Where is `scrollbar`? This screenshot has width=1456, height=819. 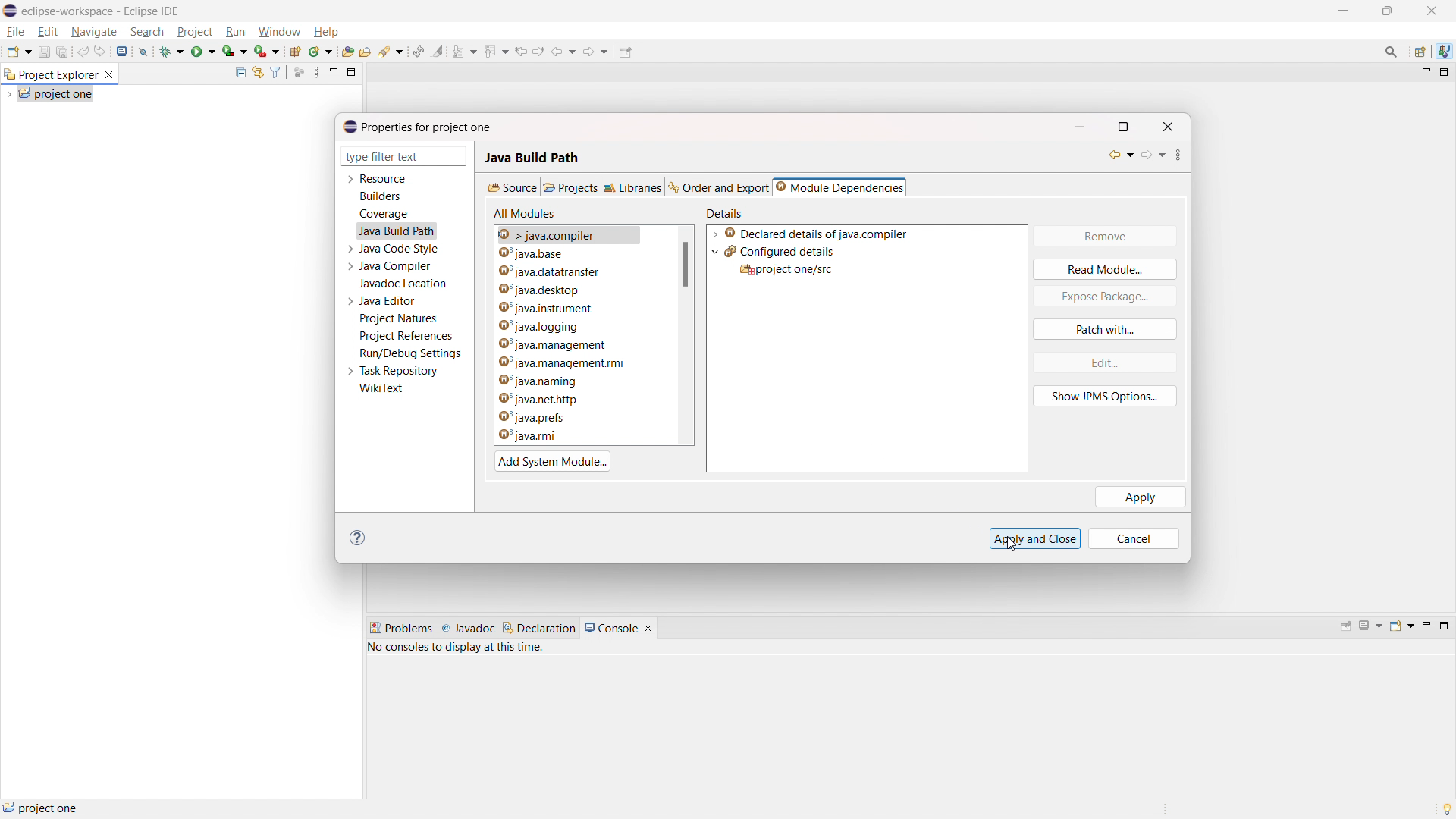 scrollbar is located at coordinates (686, 265).